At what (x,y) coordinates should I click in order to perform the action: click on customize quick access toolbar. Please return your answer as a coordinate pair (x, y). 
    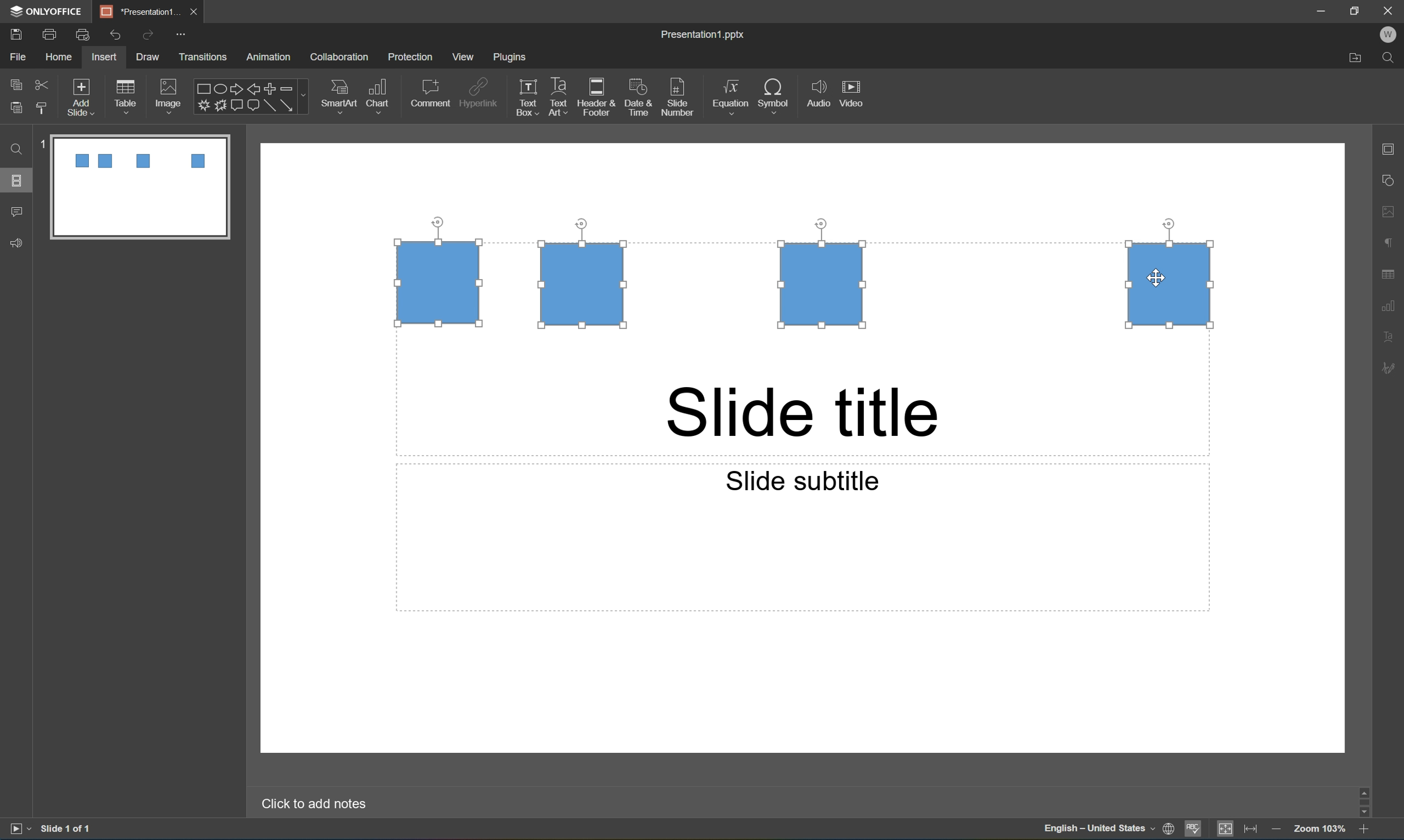
    Looking at the image, I should click on (181, 33).